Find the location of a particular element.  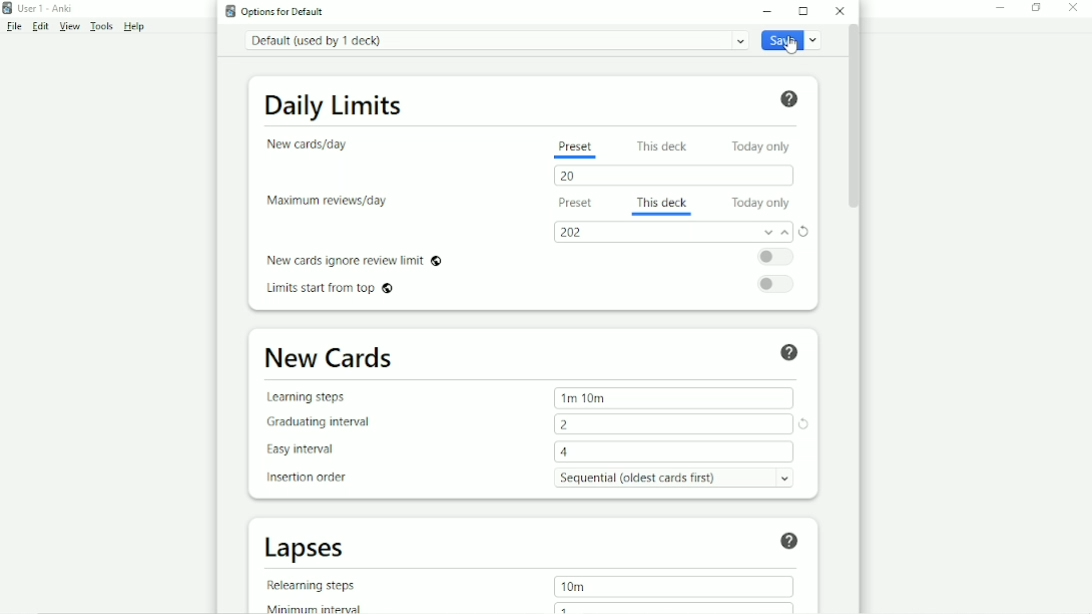

Minimize is located at coordinates (770, 10).